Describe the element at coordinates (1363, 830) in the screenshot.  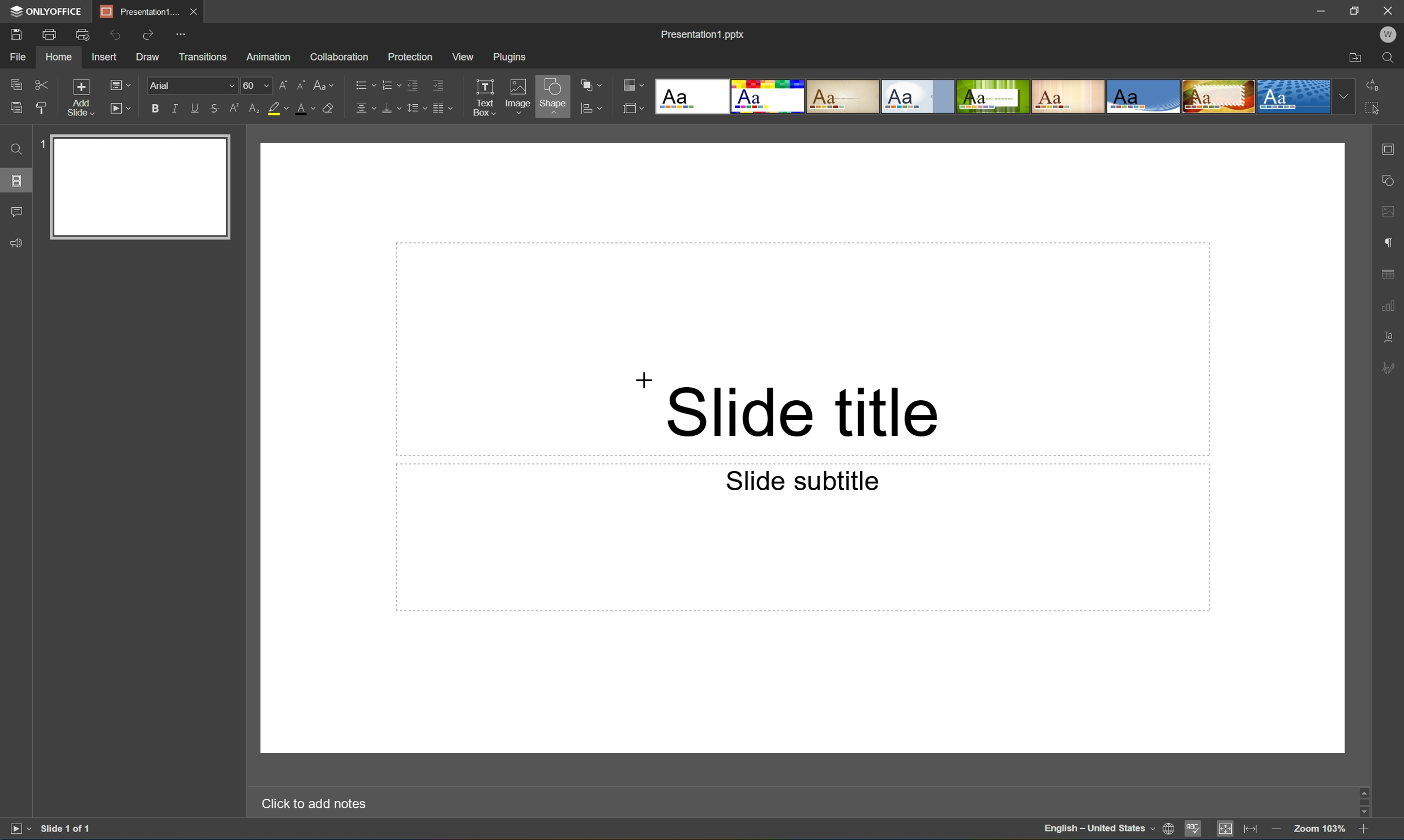
I see `Zoom in` at that location.